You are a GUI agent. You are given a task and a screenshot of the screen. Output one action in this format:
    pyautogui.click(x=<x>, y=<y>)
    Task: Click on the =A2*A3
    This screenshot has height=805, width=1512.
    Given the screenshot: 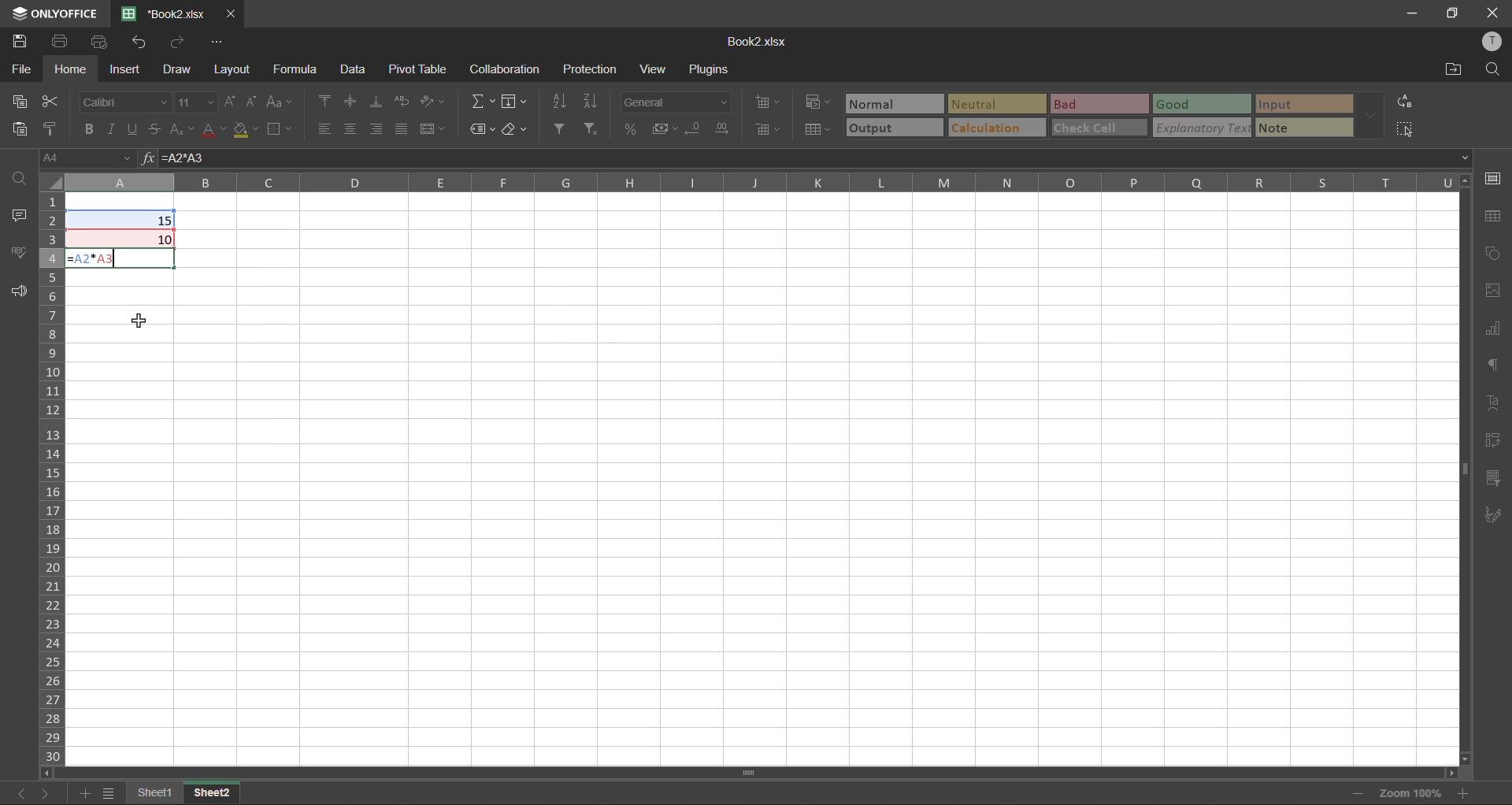 What is the action you would take?
    pyautogui.click(x=96, y=258)
    